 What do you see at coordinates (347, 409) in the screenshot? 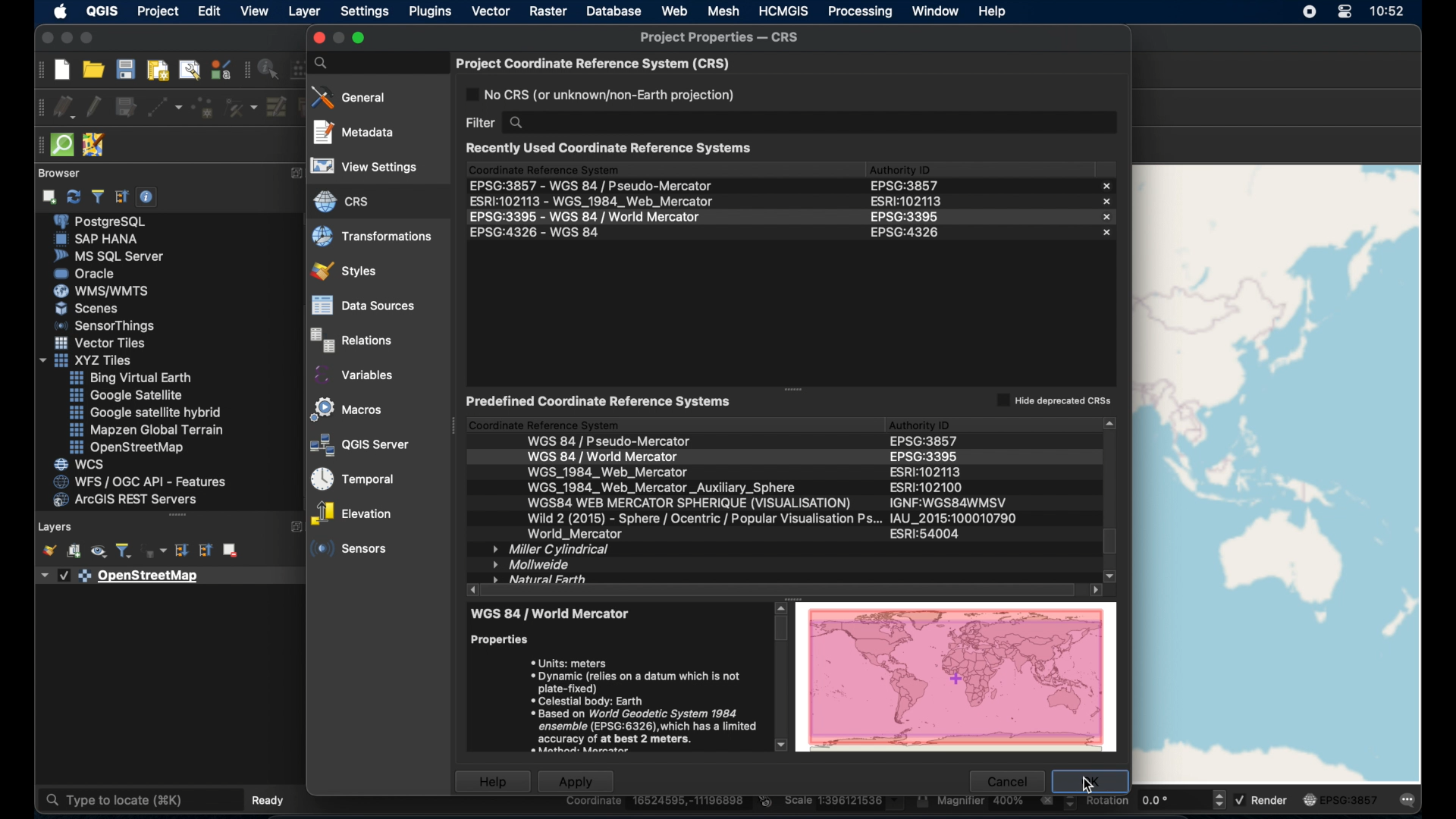
I see `macros` at bounding box center [347, 409].